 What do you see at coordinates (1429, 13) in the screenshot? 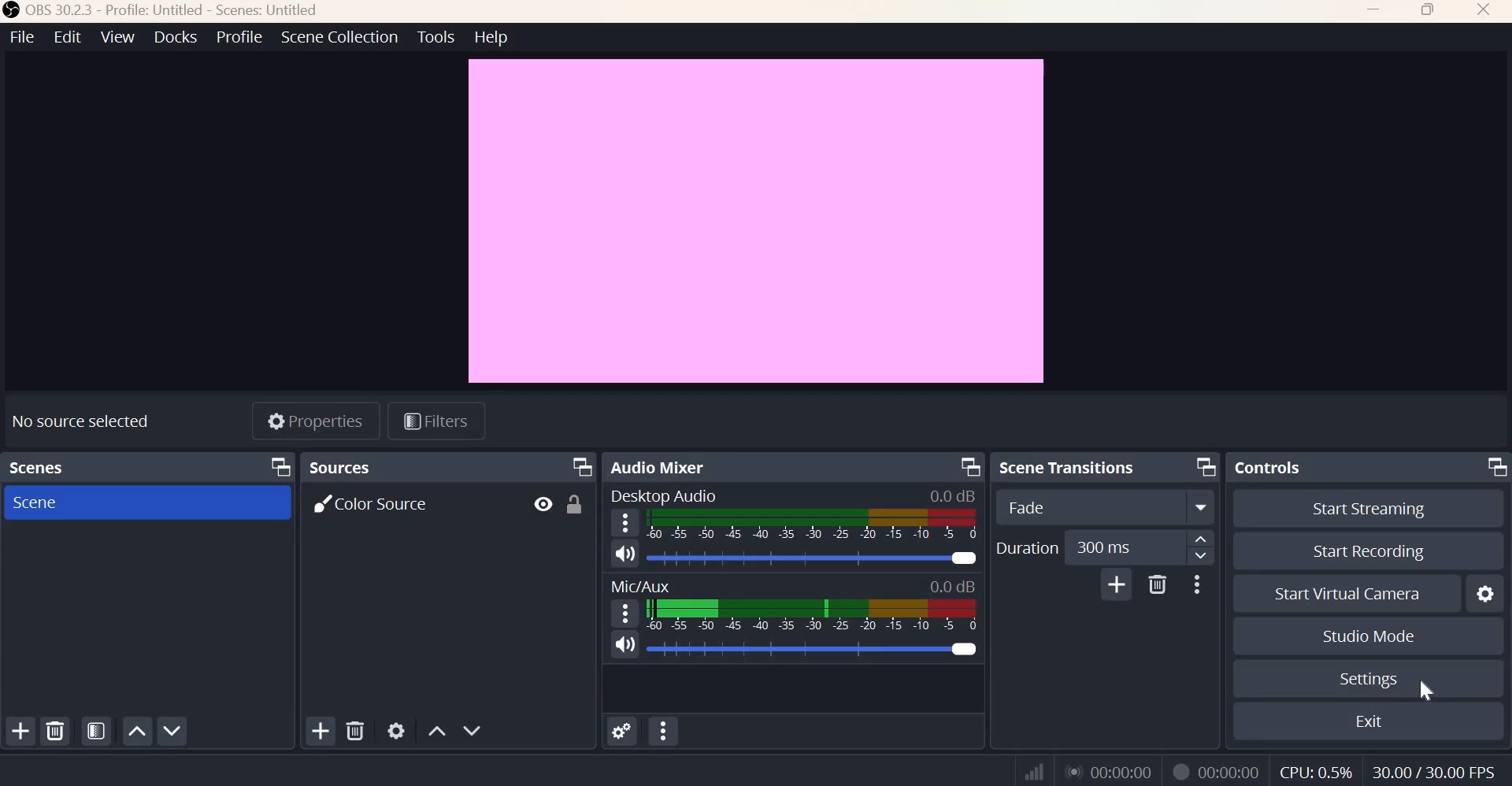
I see `Maximize` at bounding box center [1429, 13].